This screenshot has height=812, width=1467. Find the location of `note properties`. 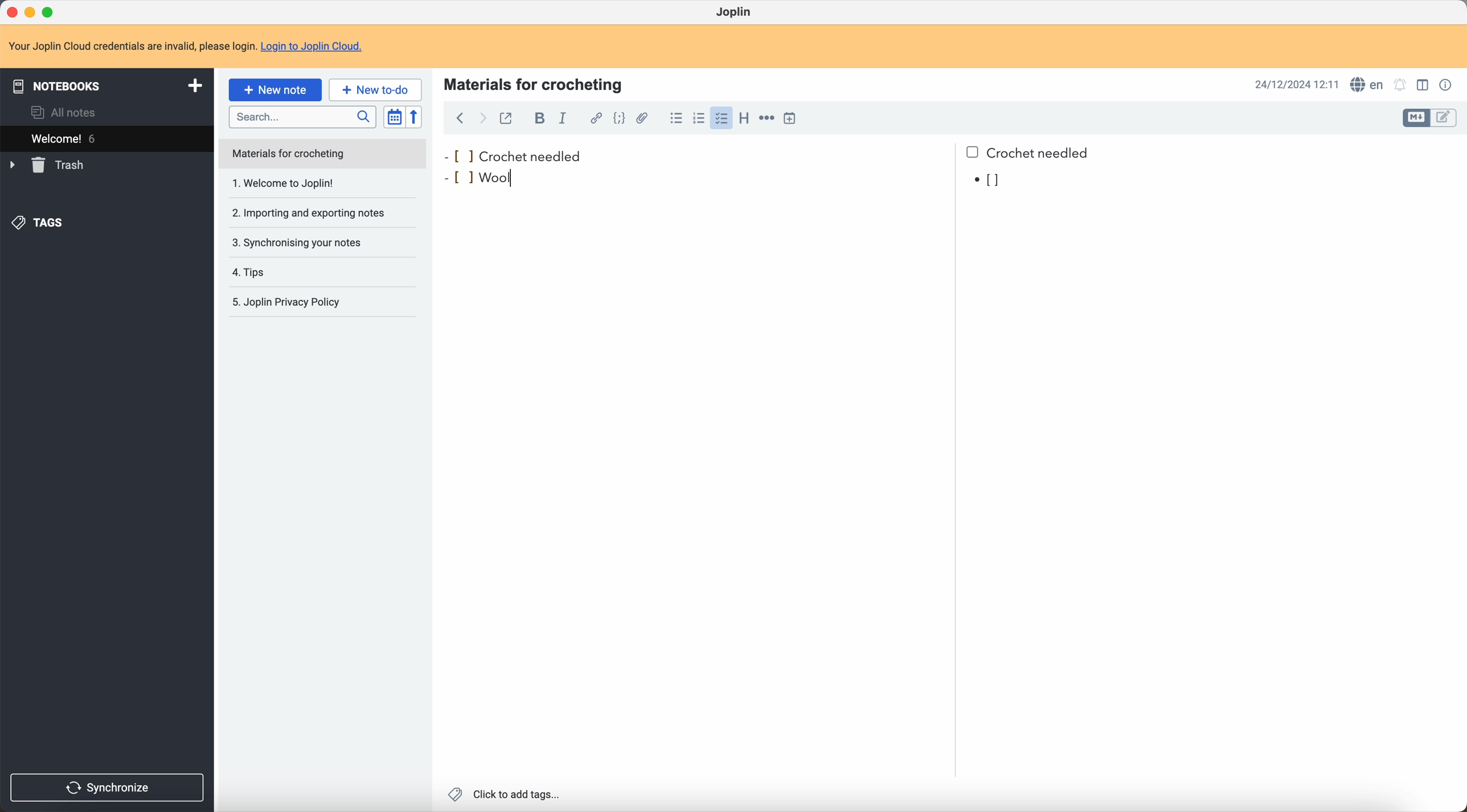

note properties is located at coordinates (1447, 85).